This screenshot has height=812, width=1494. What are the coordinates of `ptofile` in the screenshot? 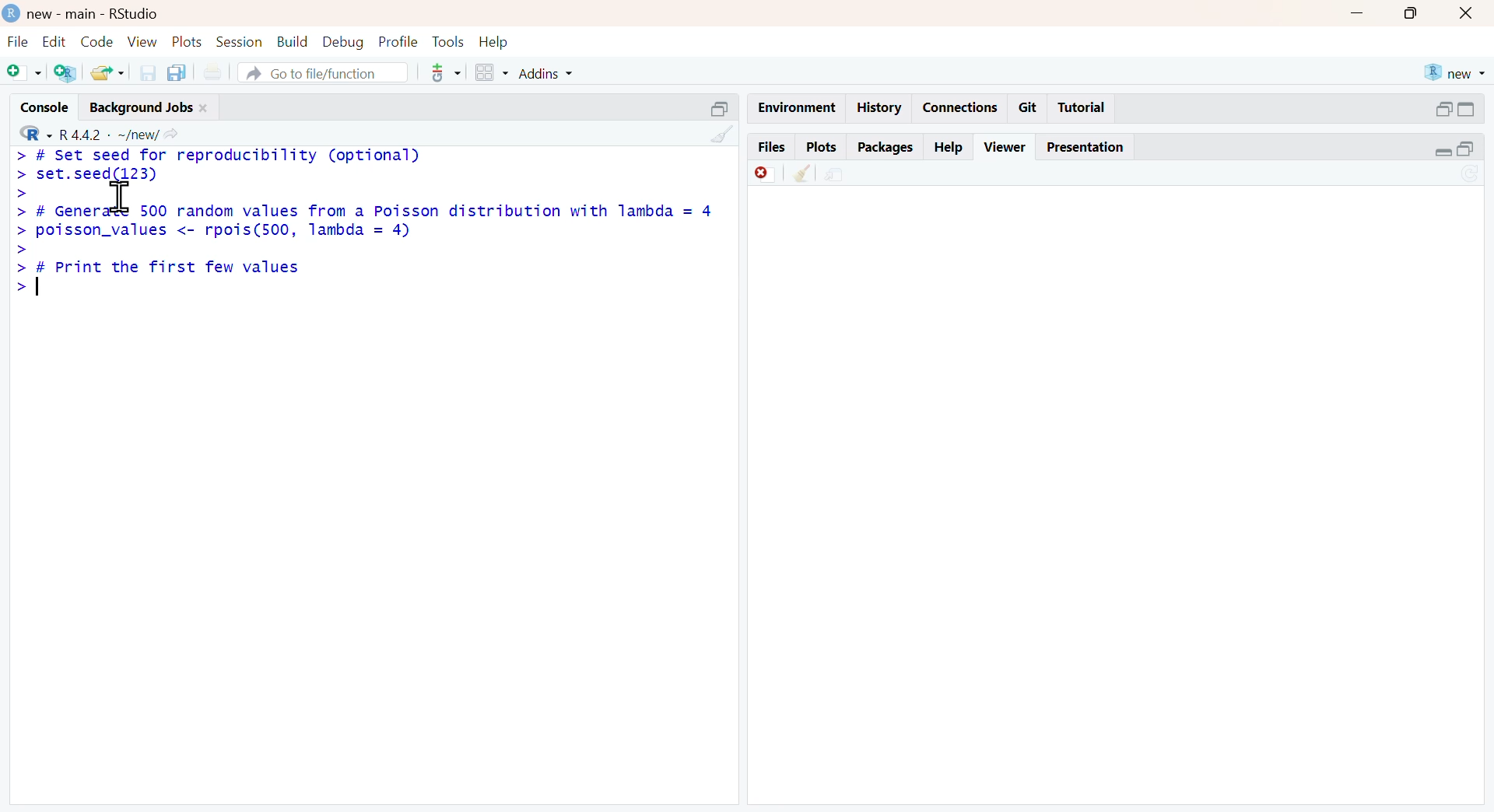 It's located at (400, 42).